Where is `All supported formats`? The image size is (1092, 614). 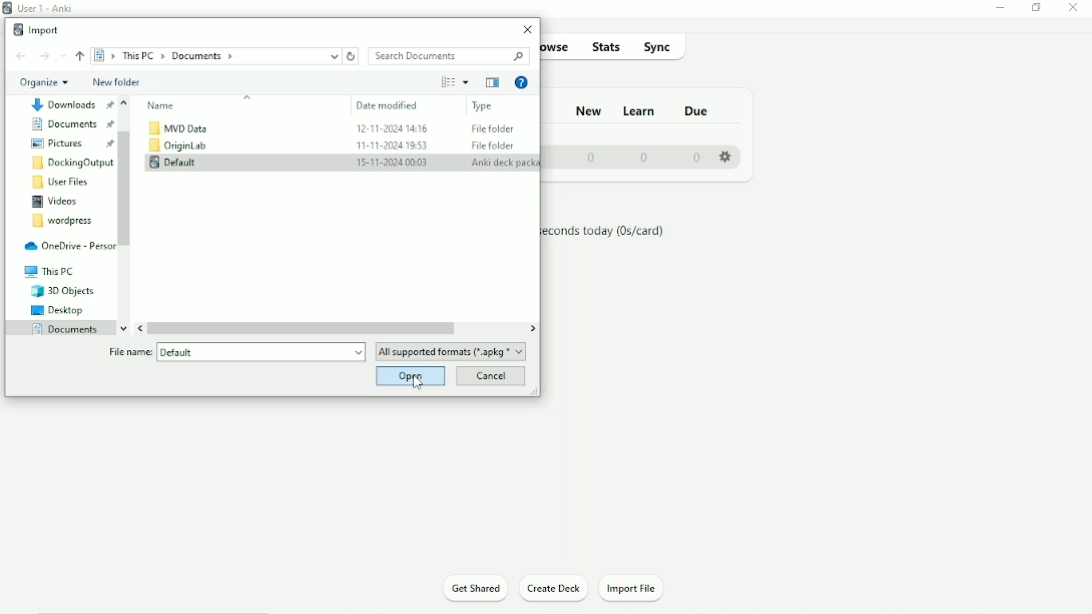 All supported formats is located at coordinates (450, 352).